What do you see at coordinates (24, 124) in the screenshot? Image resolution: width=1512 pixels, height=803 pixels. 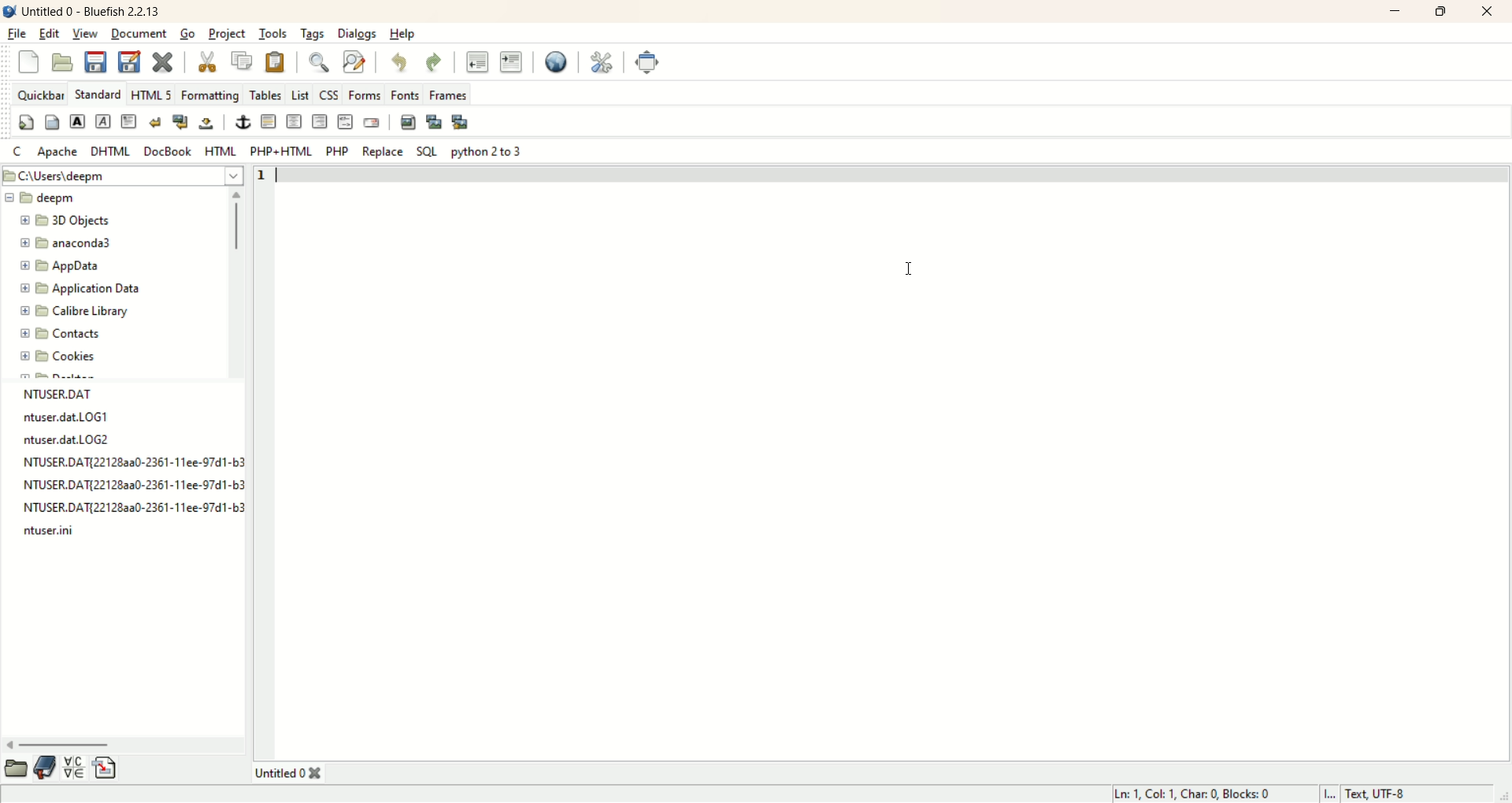 I see `quickstart` at bounding box center [24, 124].